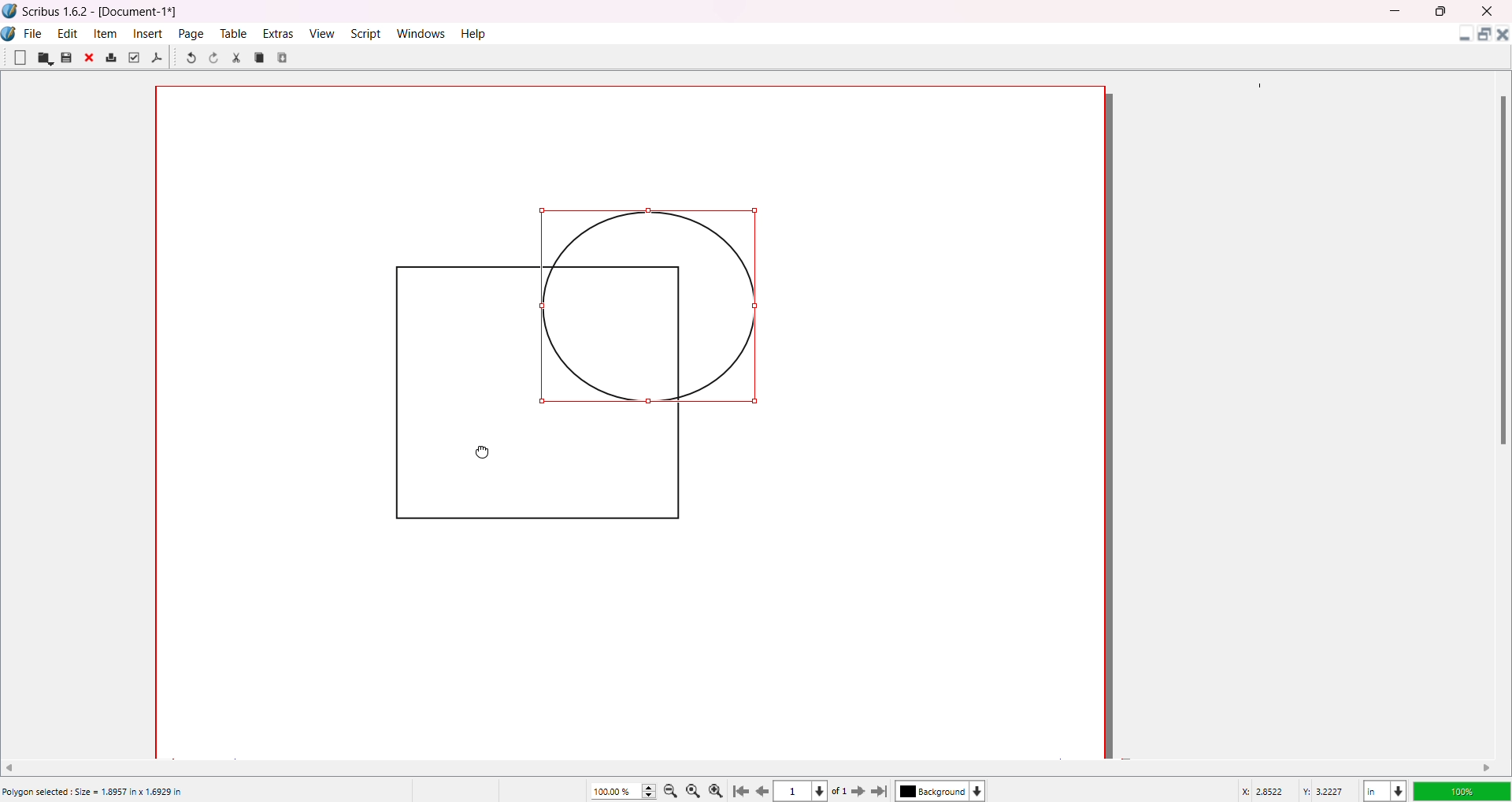 This screenshot has height=802, width=1512. I want to click on Zoom to 100, so click(696, 789).